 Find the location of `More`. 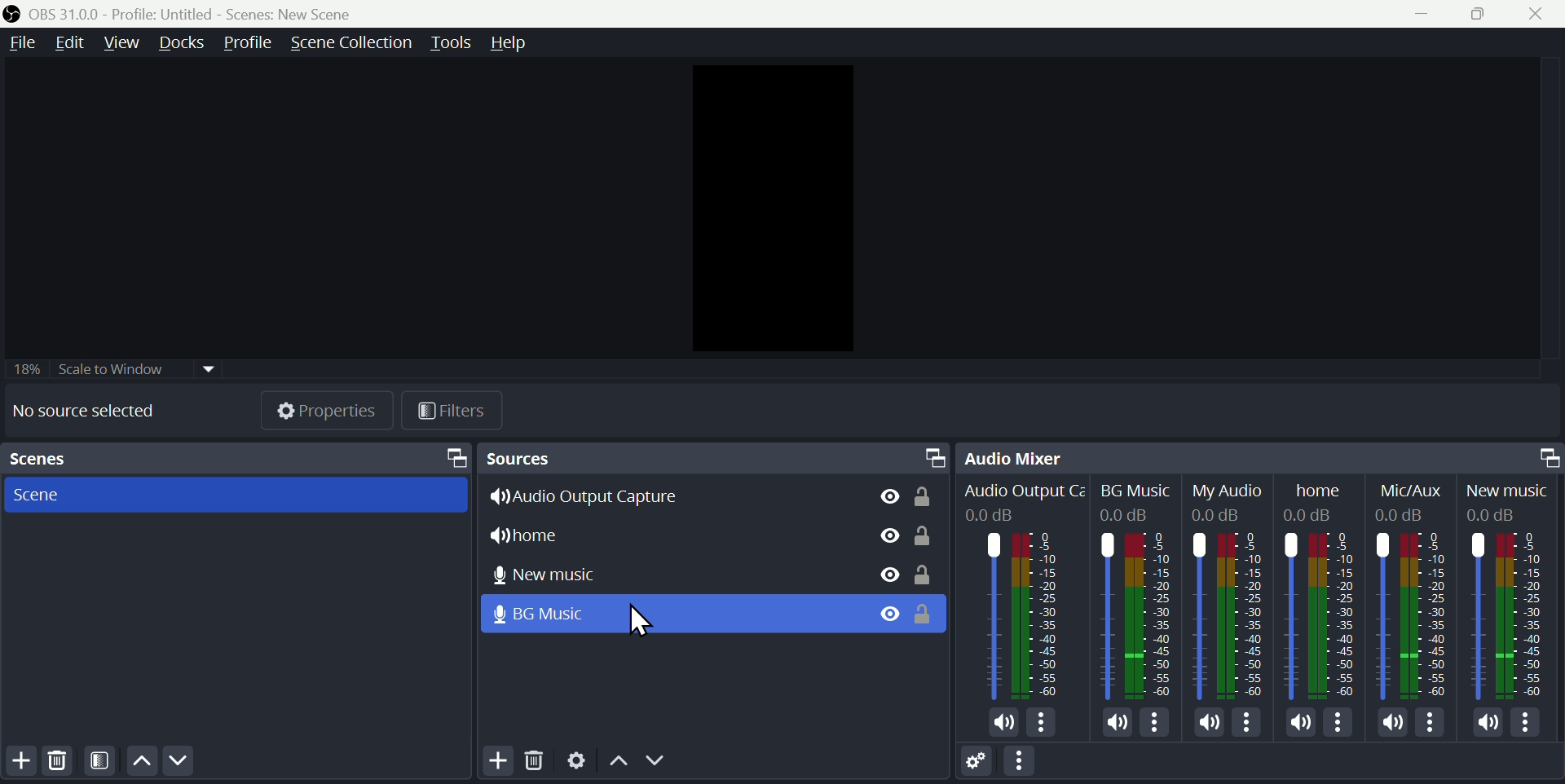

More is located at coordinates (1153, 719).